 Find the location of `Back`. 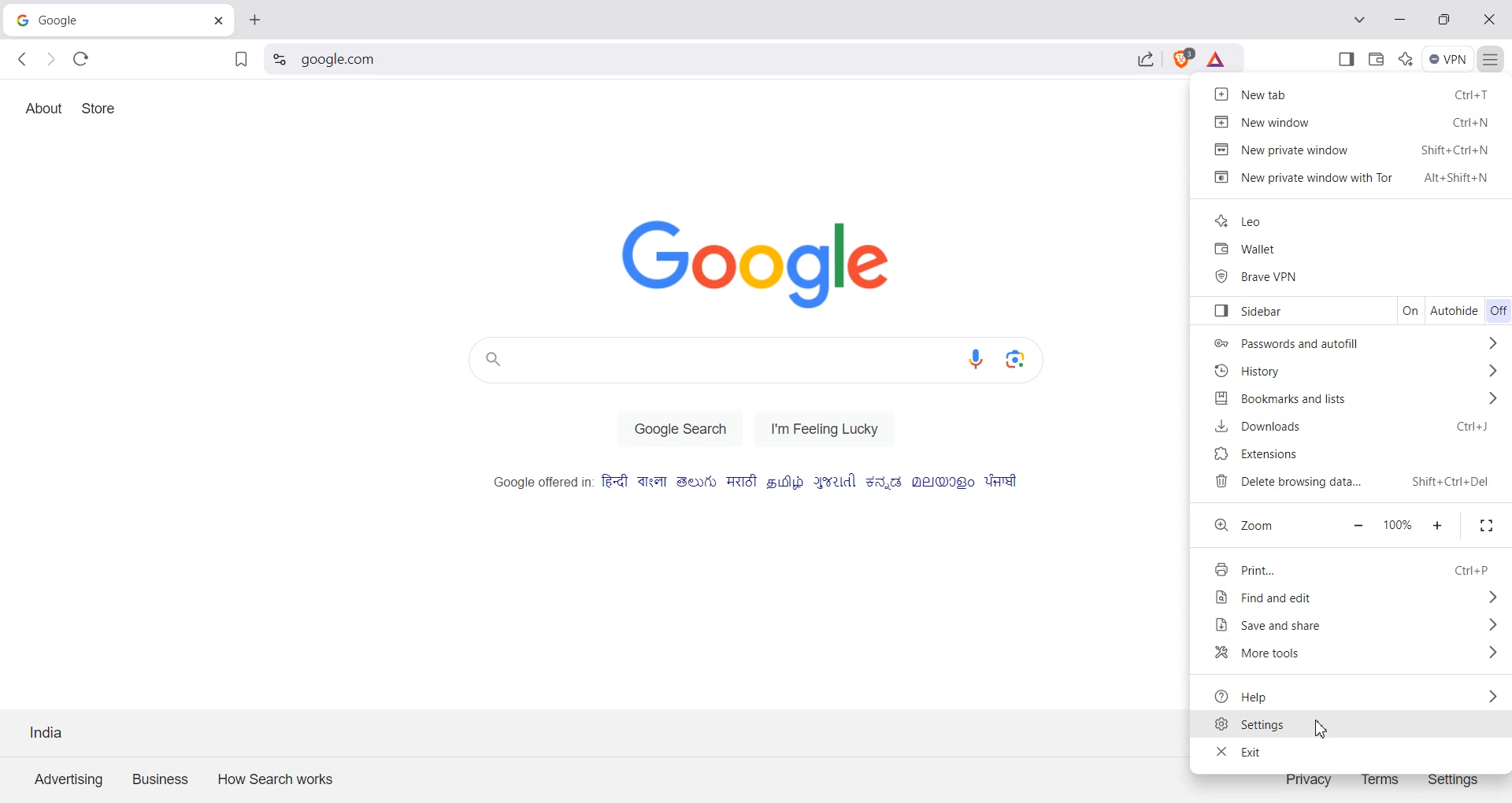

Back is located at coordinates (24, 59).